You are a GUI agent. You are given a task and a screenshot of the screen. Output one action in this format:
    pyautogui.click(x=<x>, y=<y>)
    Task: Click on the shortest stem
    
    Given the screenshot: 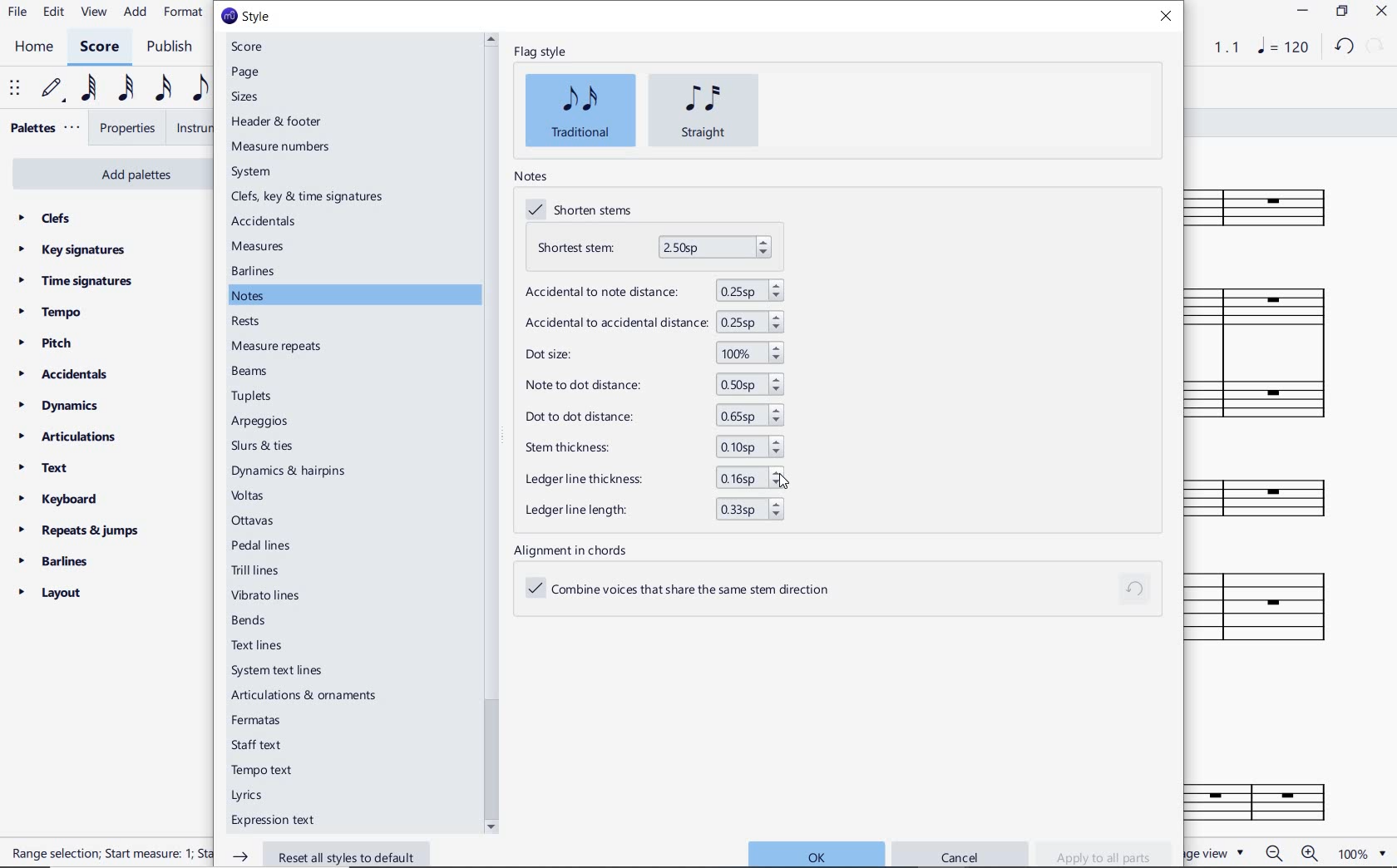 What is the action you would take?
    pyautogui.click(x=654, y=248)
    